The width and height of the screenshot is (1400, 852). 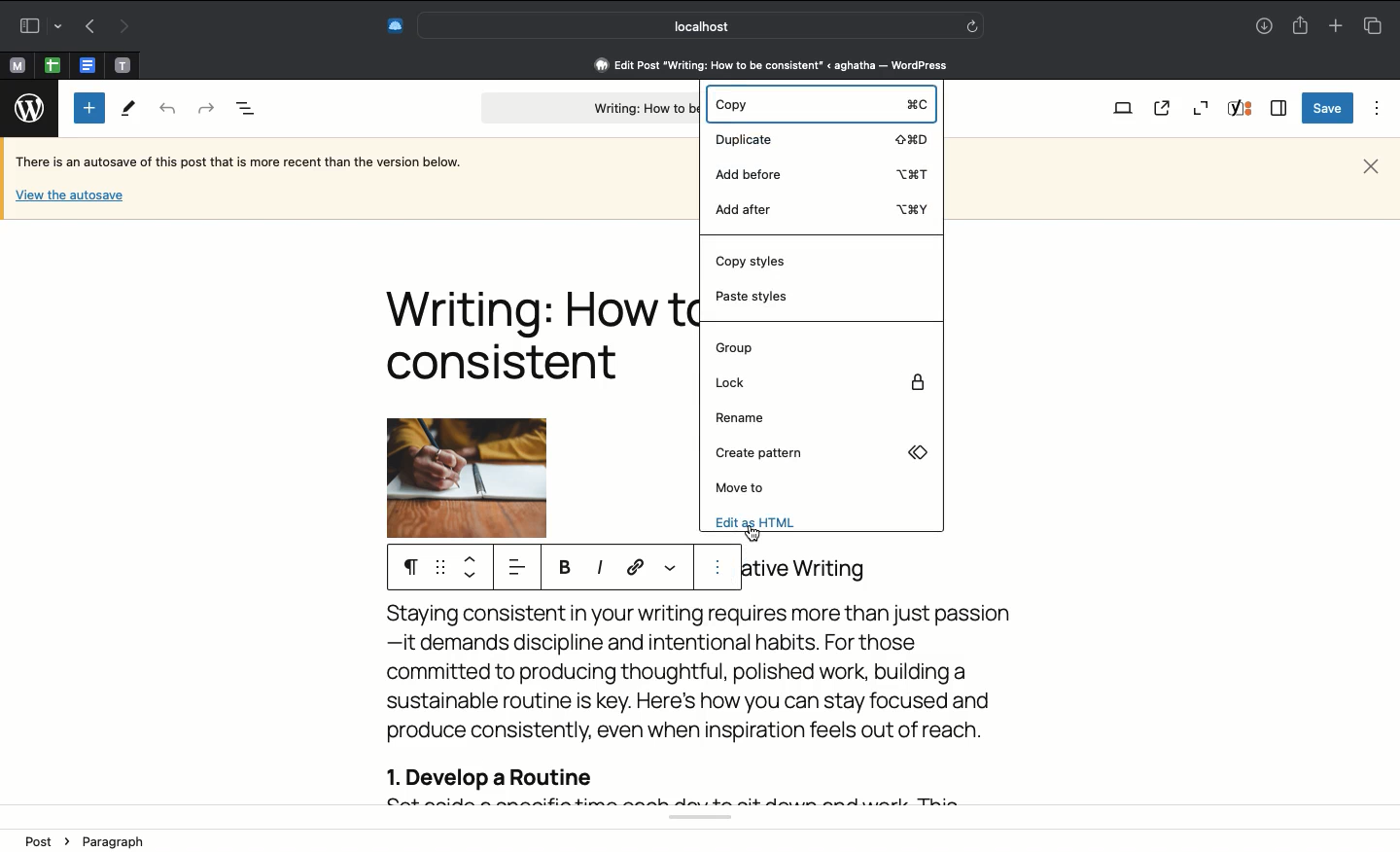 What do you see at coordinates (168, 110) in the screenshot?
I see `Undo` at bounding box center [168, 110].